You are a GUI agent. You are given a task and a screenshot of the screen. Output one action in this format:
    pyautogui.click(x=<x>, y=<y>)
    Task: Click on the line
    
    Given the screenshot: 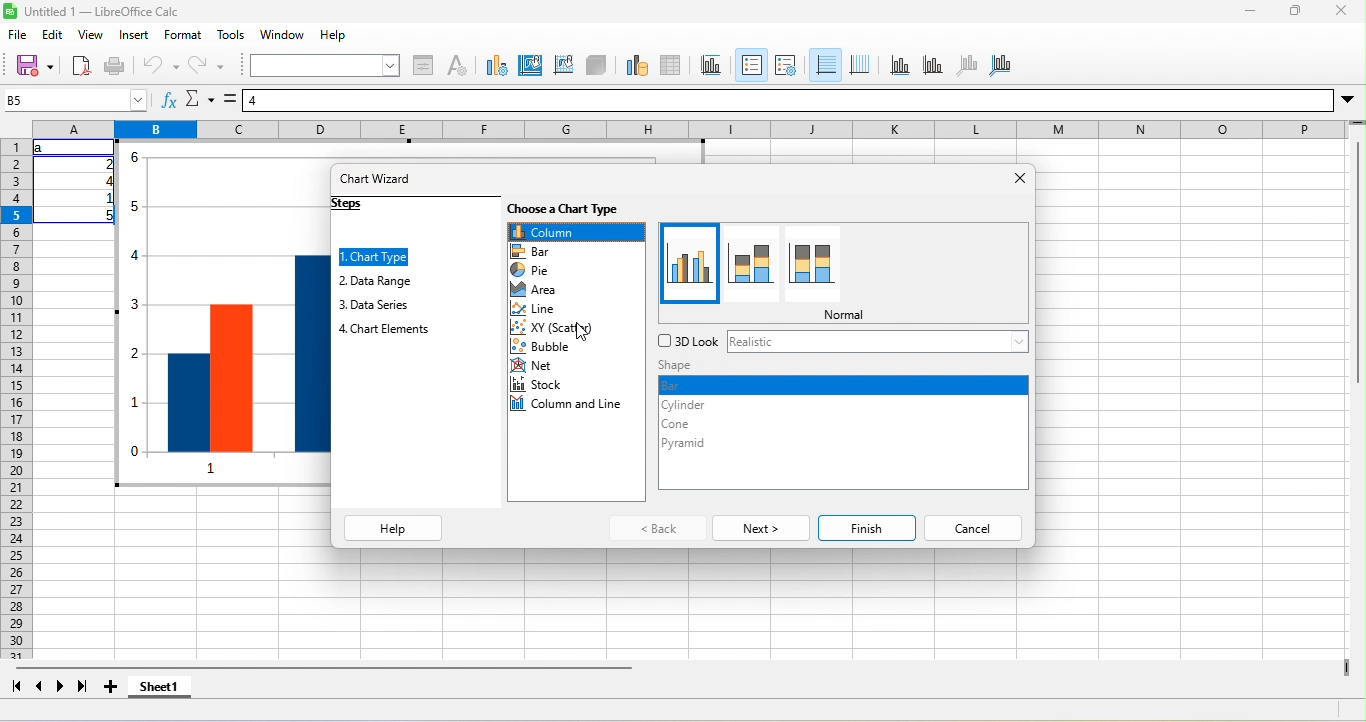 What is the action you would take?
    pyautogui.click(x=576, y=308)
    